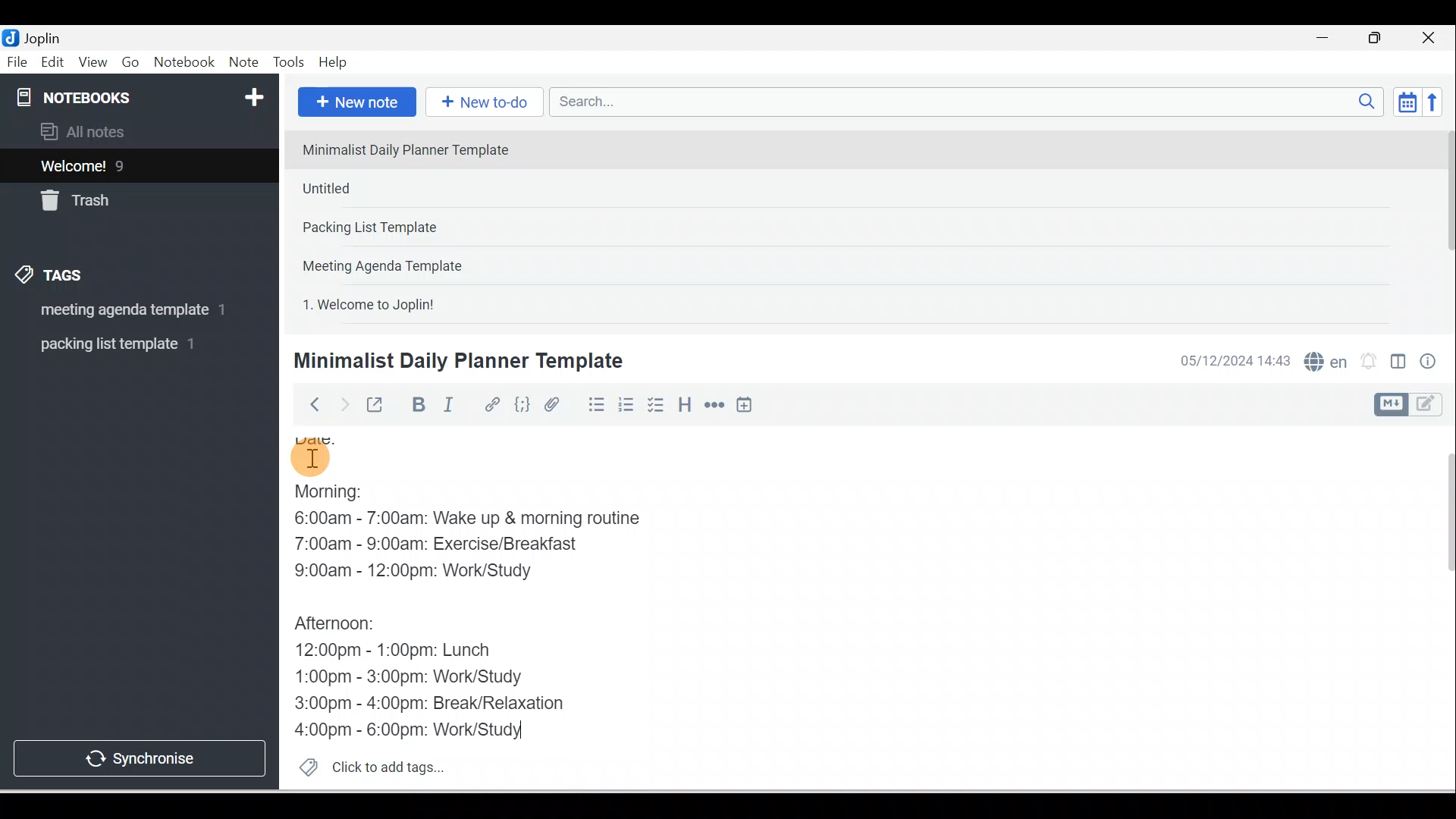 This screenshot has height=819, width=1456. What do you see at coordinates (46, 36) in the screenshot?
I see `Joplin` at bounding box center [46, 36].